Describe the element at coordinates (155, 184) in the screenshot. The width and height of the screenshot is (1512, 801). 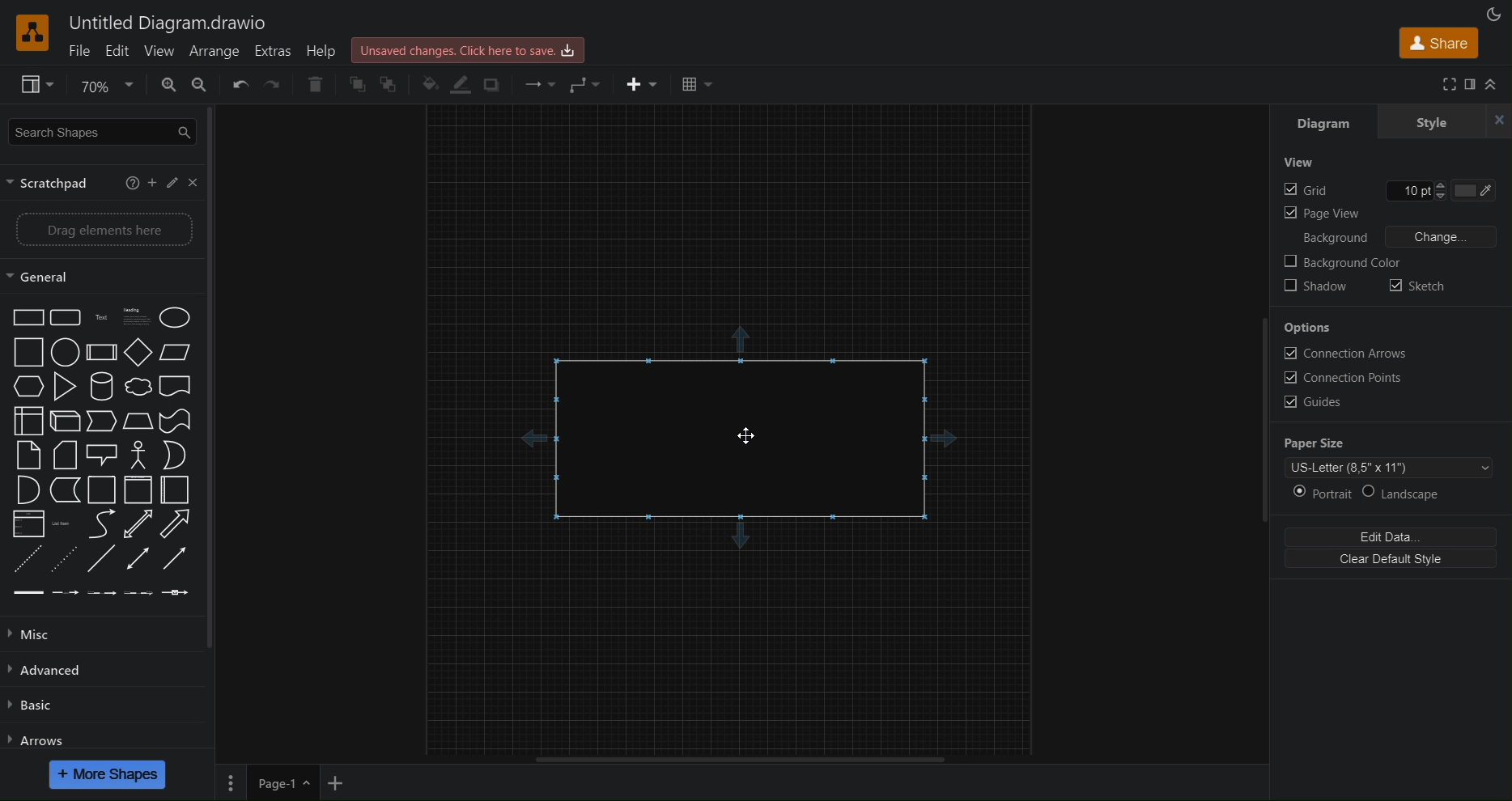
I see `add` at that location.